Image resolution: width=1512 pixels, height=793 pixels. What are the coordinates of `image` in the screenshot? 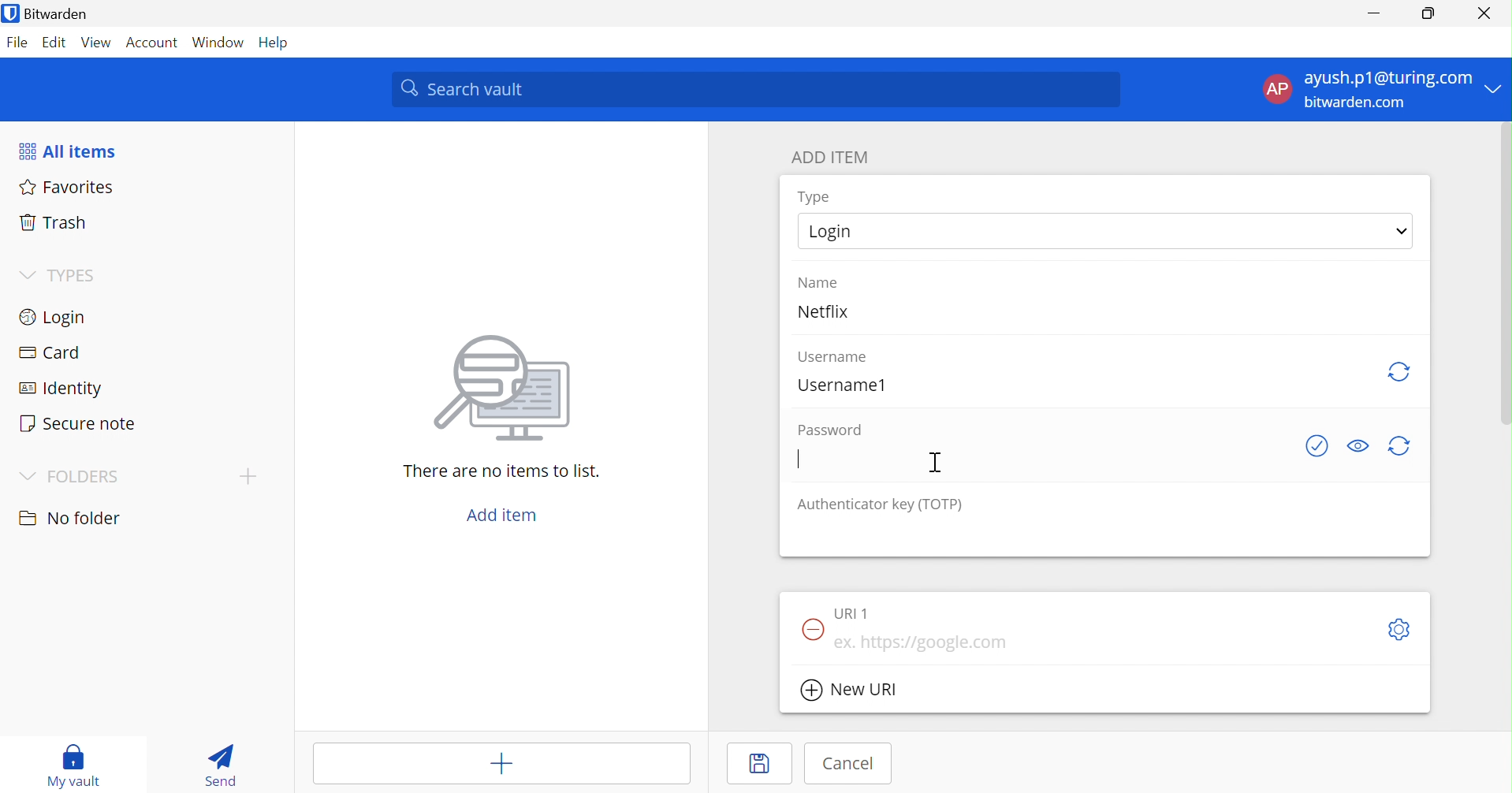 It's located at (496, 393).